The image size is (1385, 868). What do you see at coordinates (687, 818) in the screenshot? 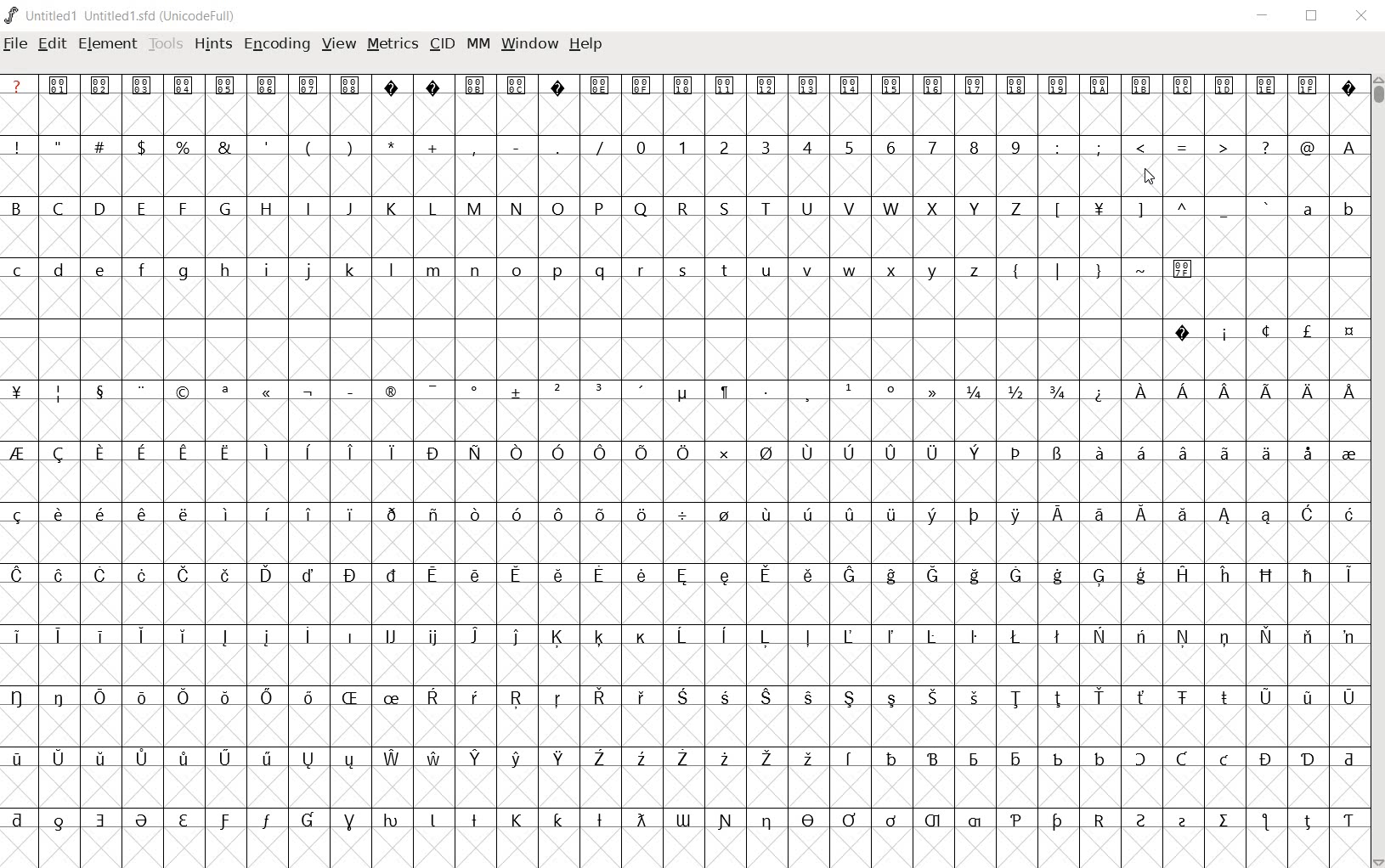
I see `special letters` at bounding box center [687, 818].